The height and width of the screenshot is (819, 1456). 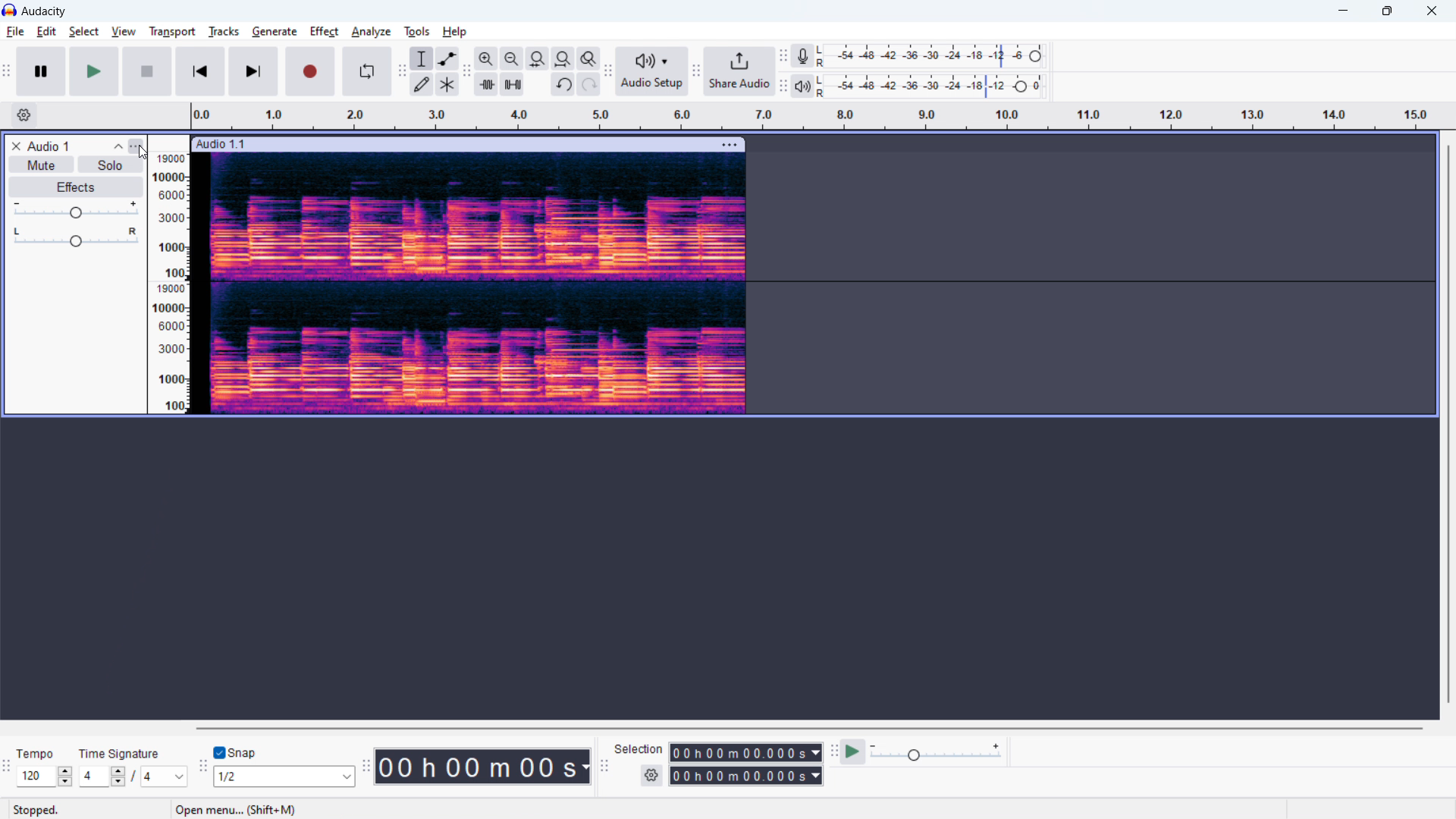 I want to click on vertical scrollbar, so click(x=1448, y=424).